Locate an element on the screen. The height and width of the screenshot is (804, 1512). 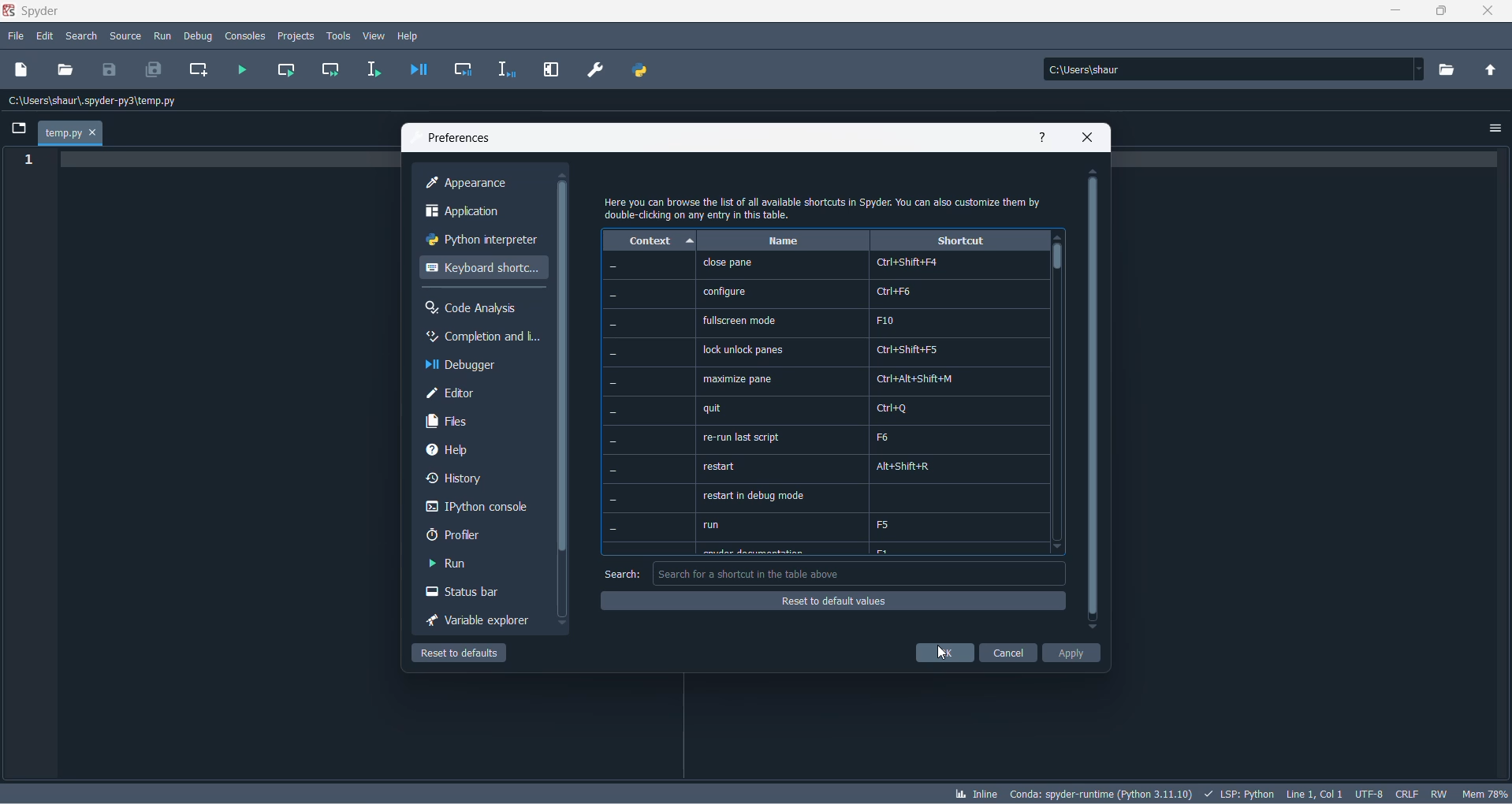
code analysis is located at coordinates (479, 308).